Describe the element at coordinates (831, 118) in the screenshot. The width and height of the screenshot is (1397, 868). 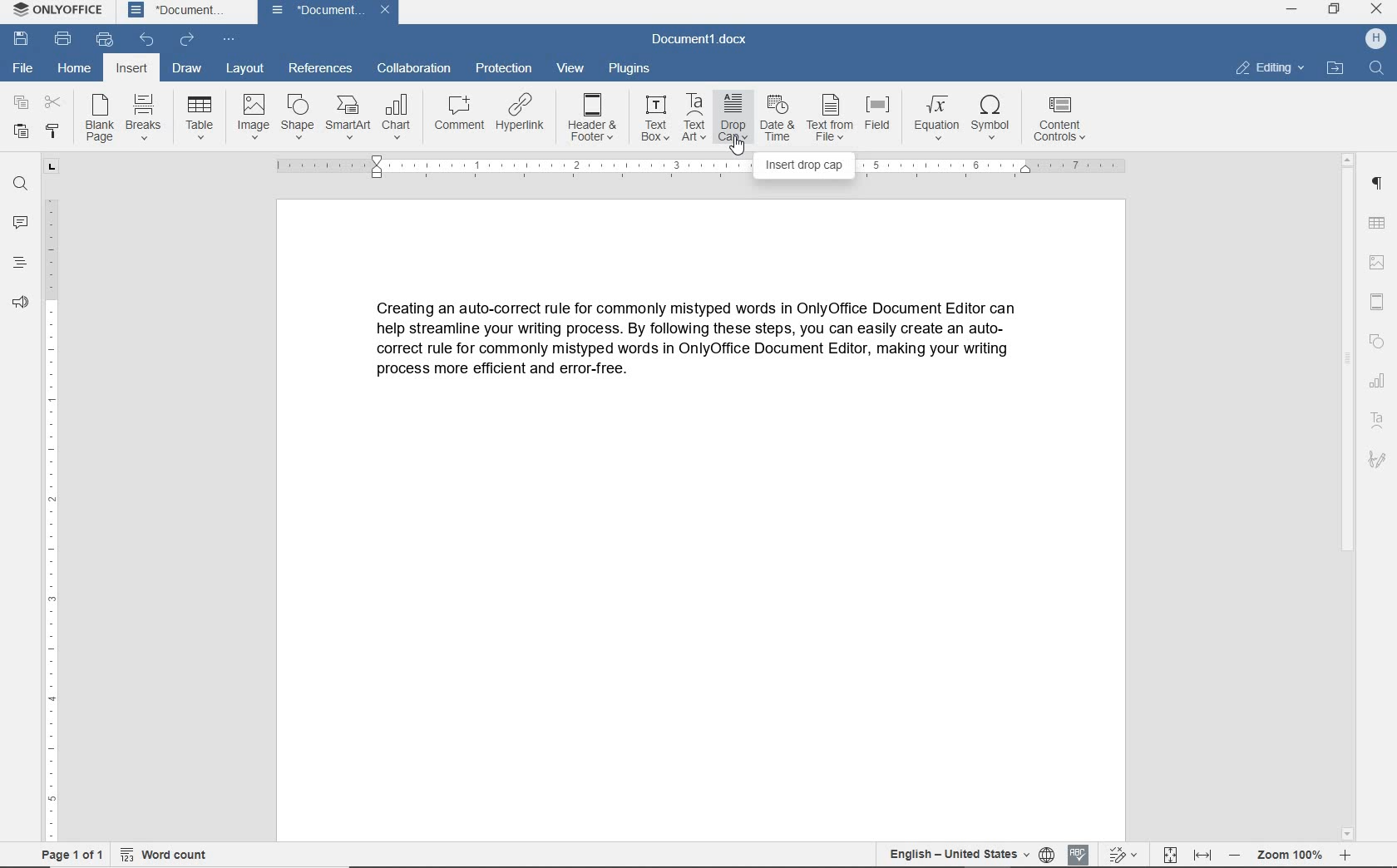
I see `text from file` at that location.